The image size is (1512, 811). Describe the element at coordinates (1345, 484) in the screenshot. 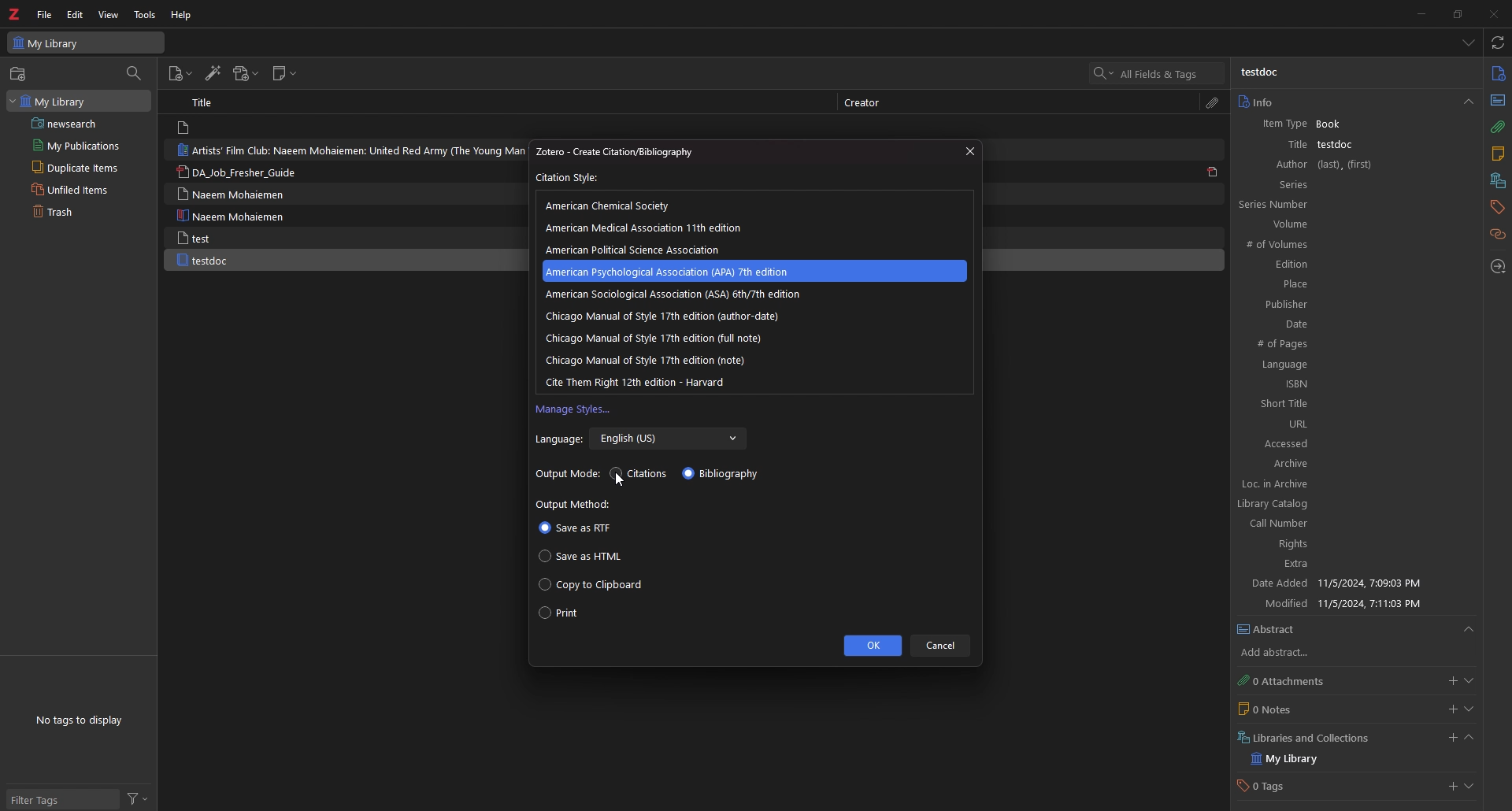

I see `Loc. in Archive` at that location.